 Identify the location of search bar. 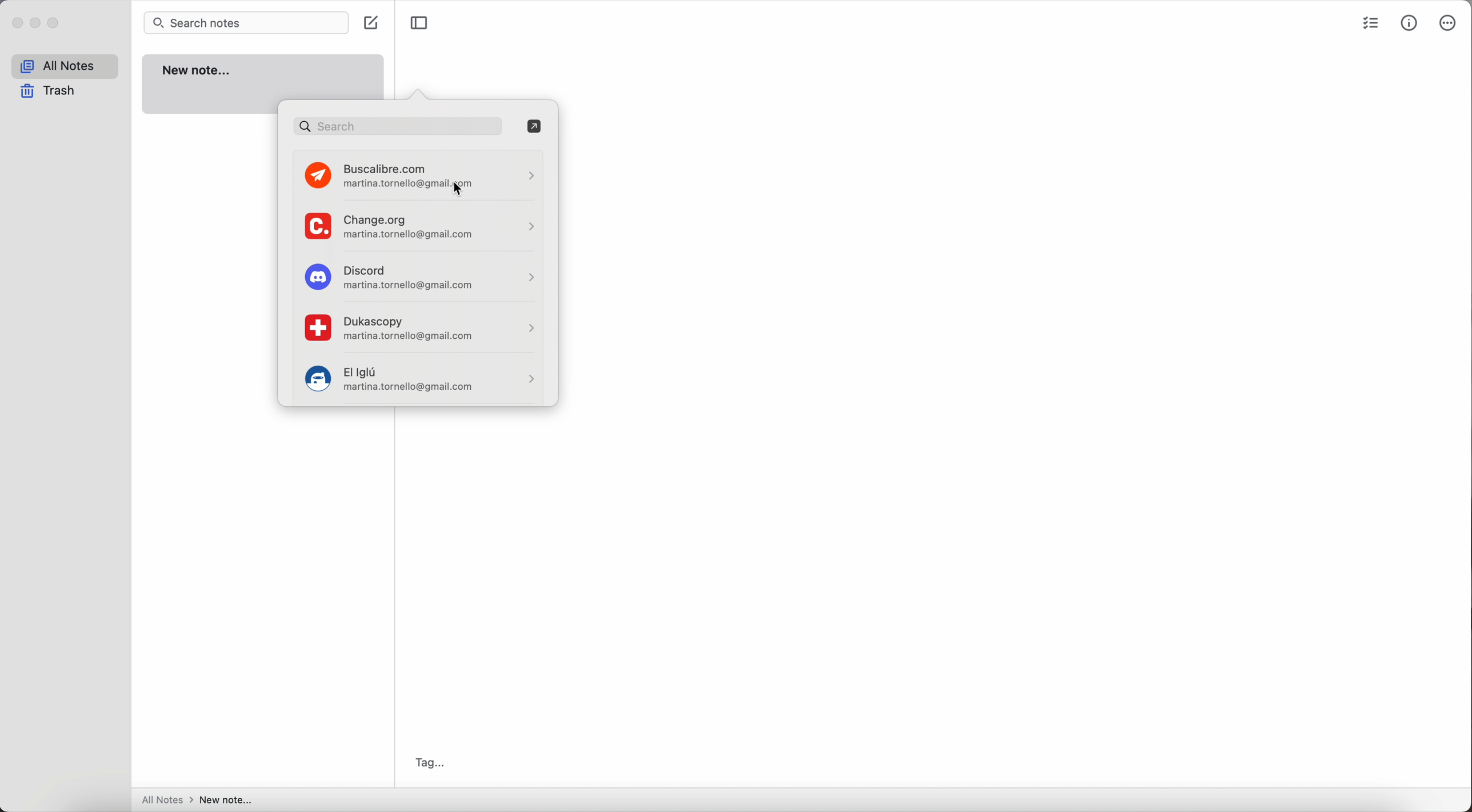
(245, 23).